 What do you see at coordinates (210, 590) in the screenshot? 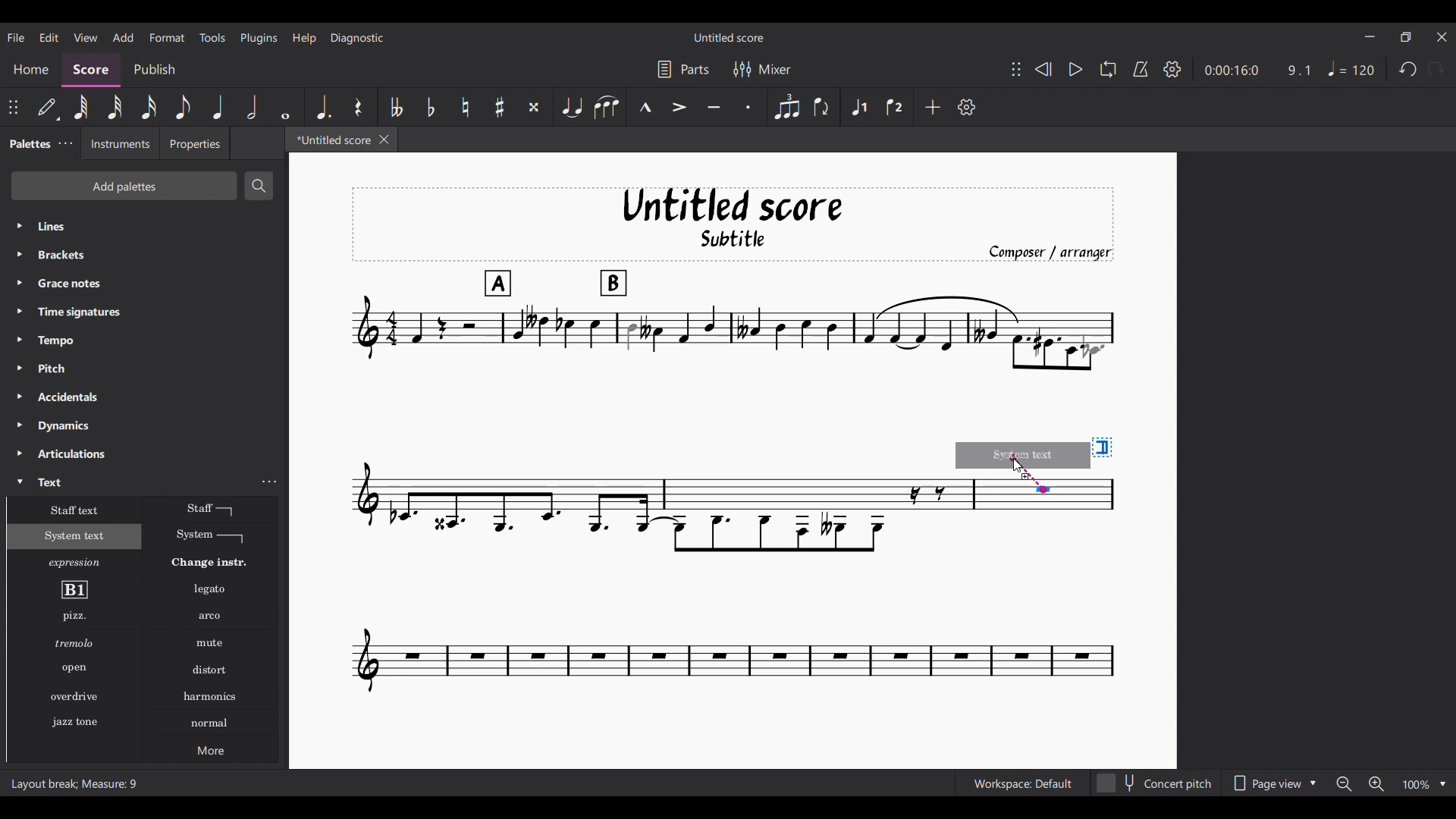
I see `Legato` at bounding box center [210, 590].